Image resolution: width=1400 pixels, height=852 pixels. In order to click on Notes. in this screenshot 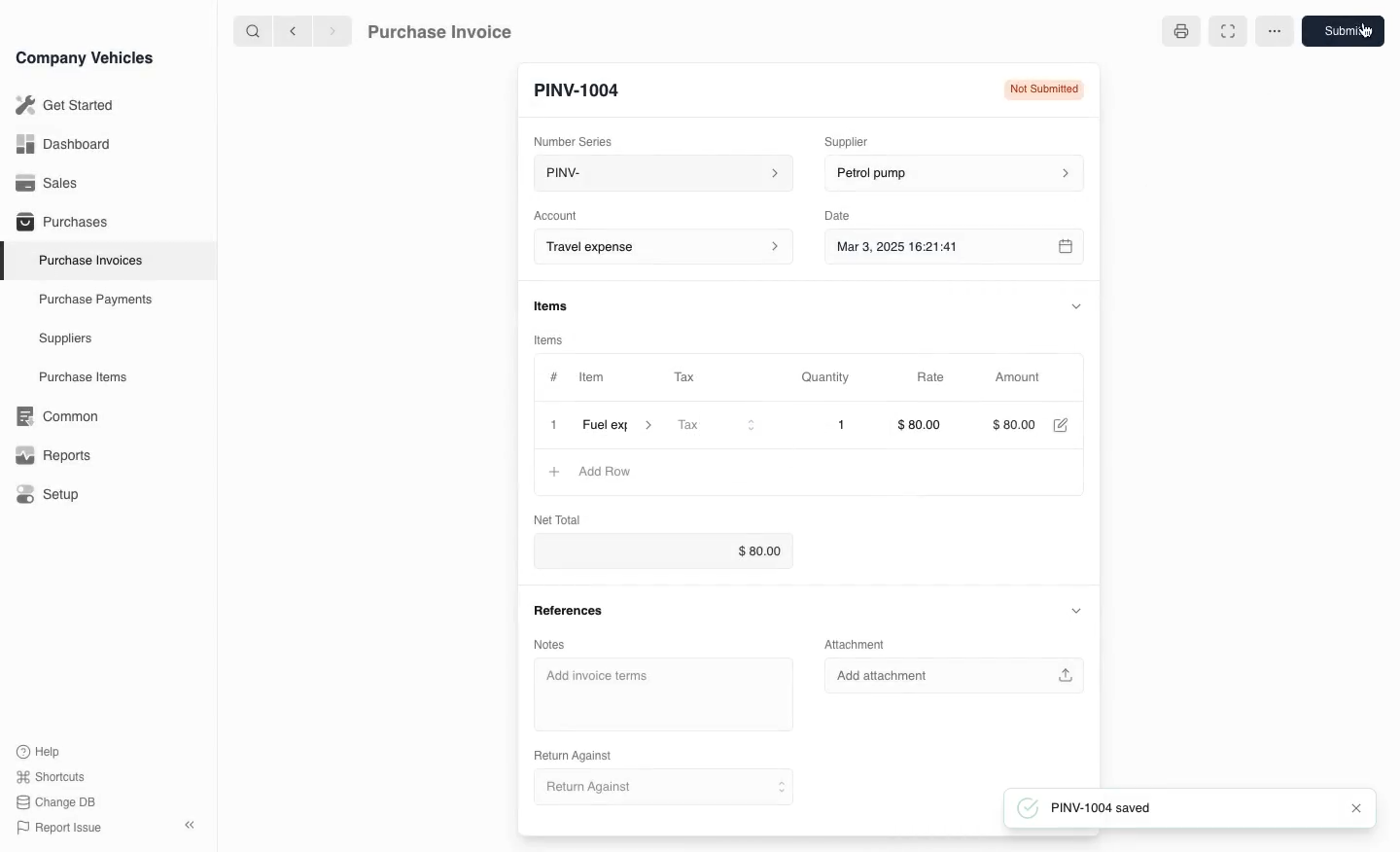, I will do `click(561, 641)`.